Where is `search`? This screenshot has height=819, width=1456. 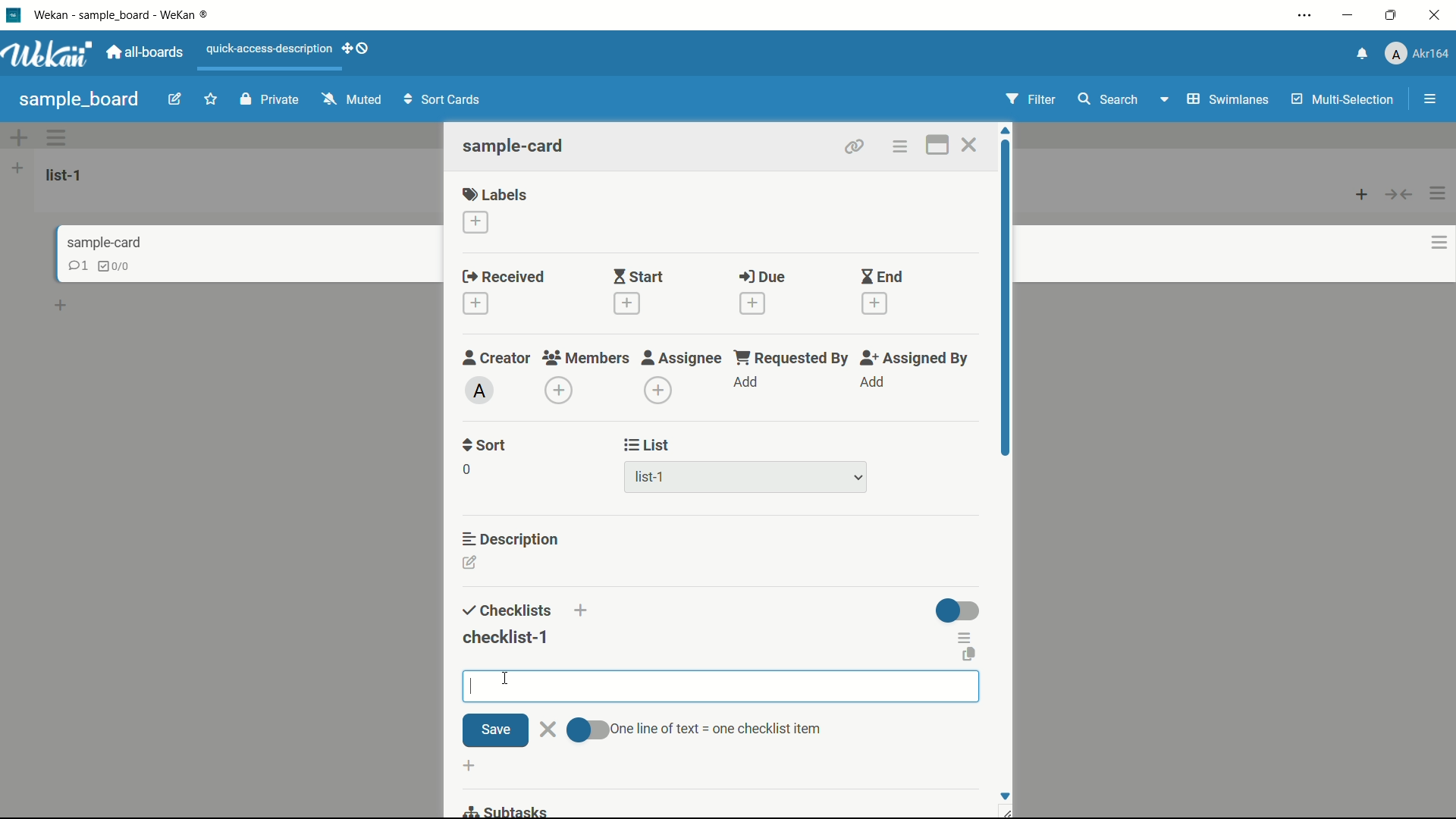
search is located at coordinates (1109, 98).